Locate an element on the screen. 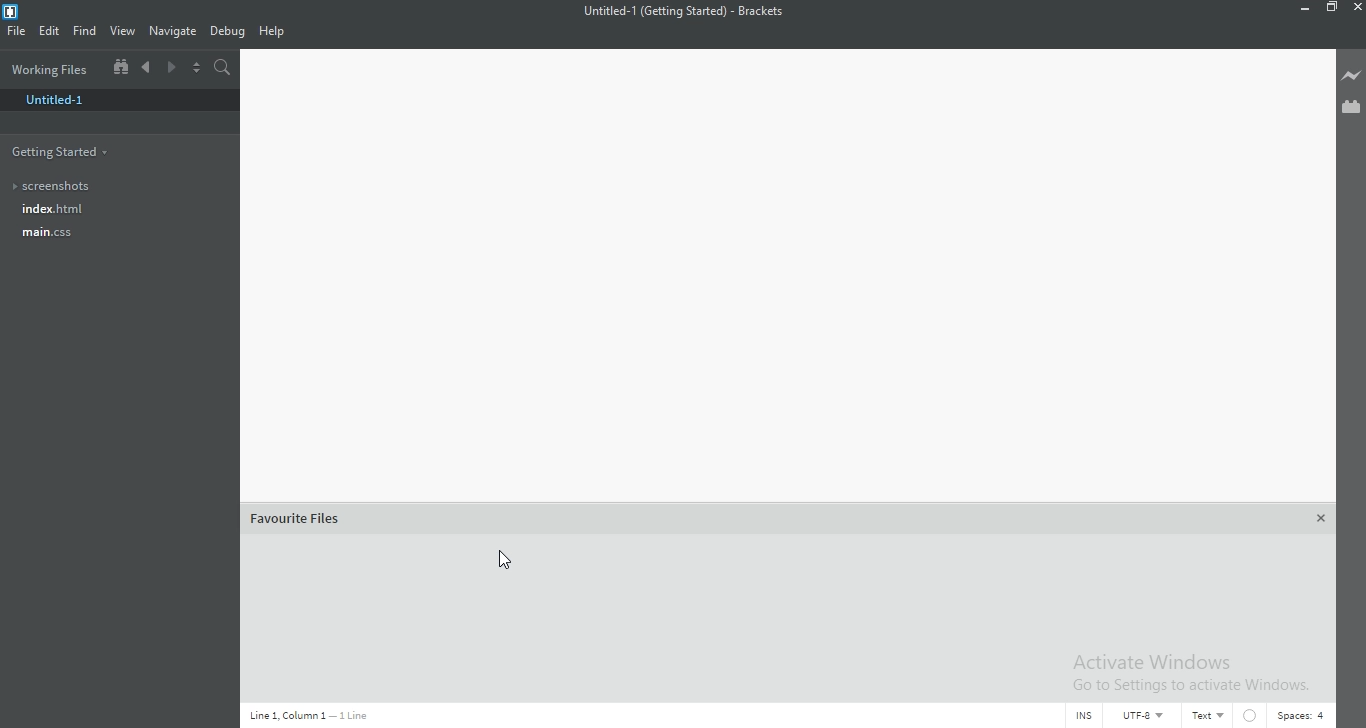 Image resolution: width=1366 pixels, height=728 pixels. Find is located at coordinates (85, 34).